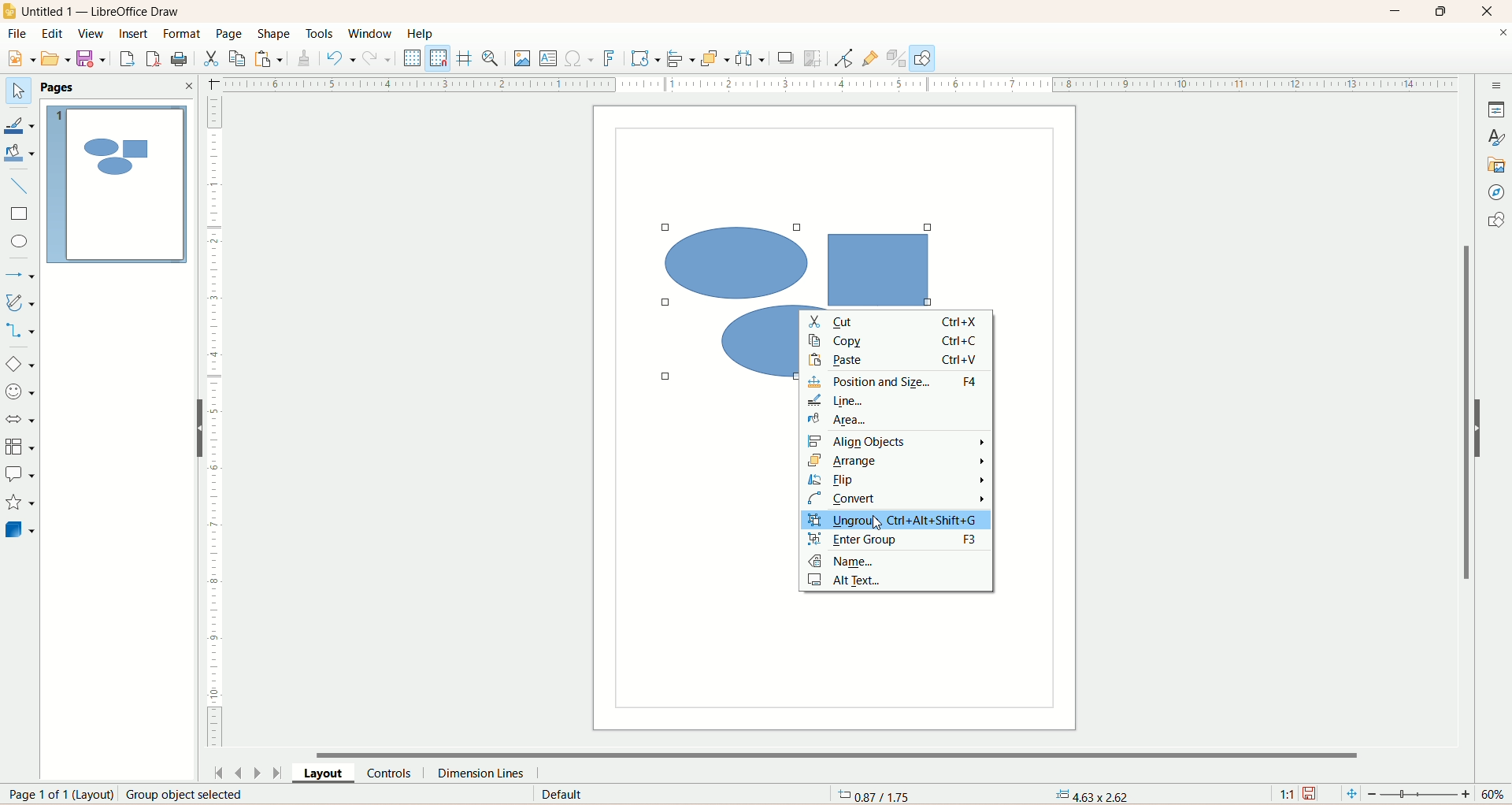  Describe the element at coordinates (897, 480) in the screenshot. I see `flip` at that location.